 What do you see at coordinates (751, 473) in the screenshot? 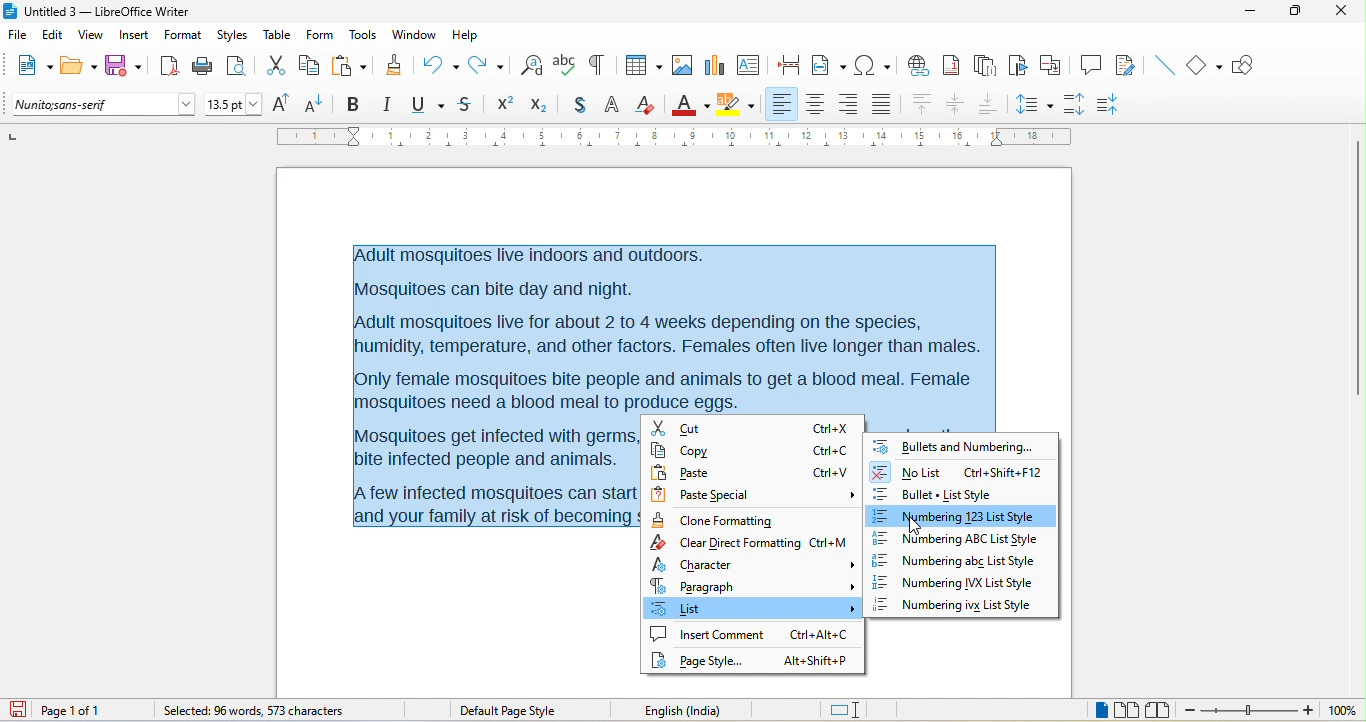
I see `paste` at bounding box center [751, 473].